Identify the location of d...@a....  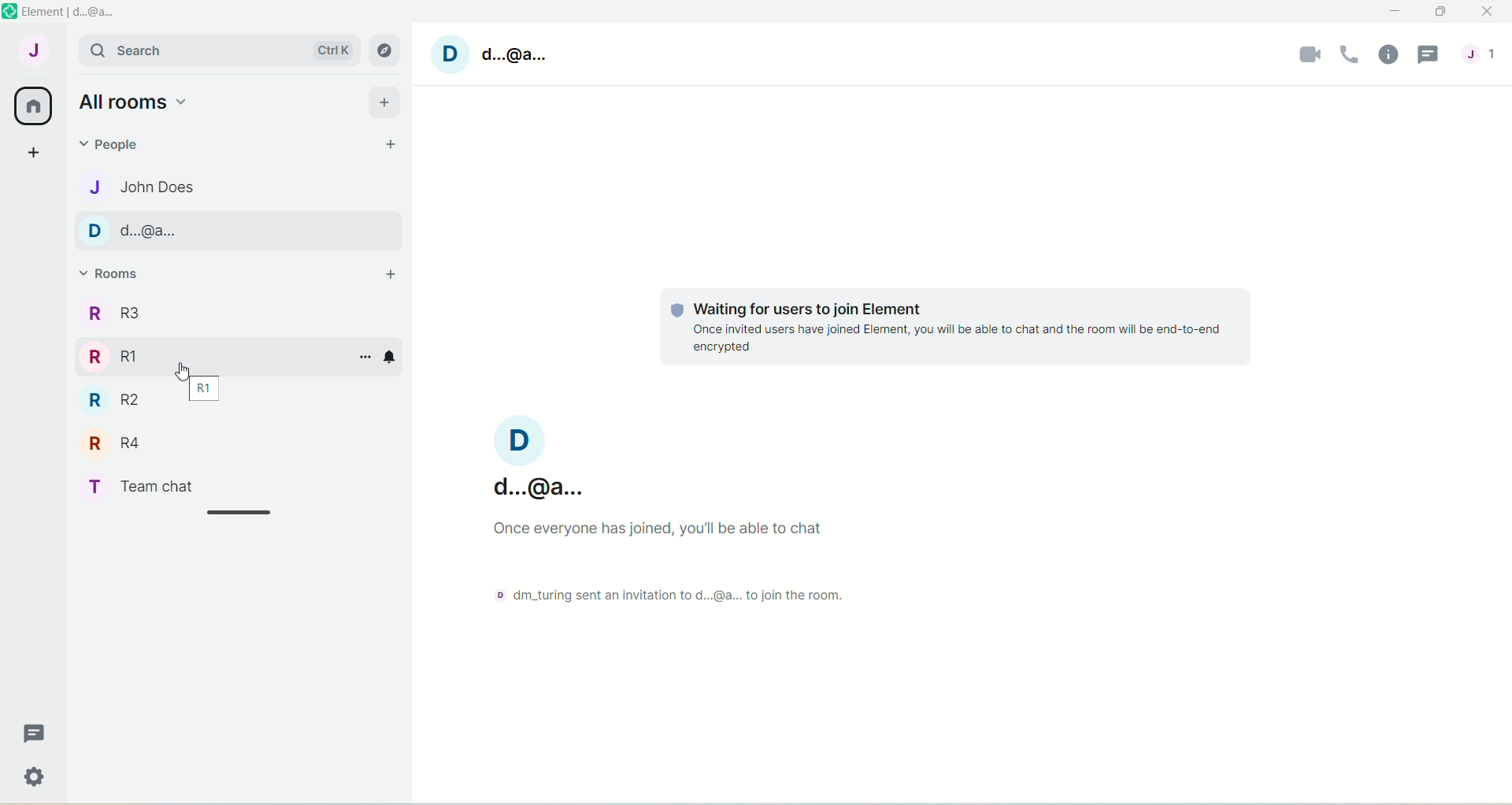
(527, 461).